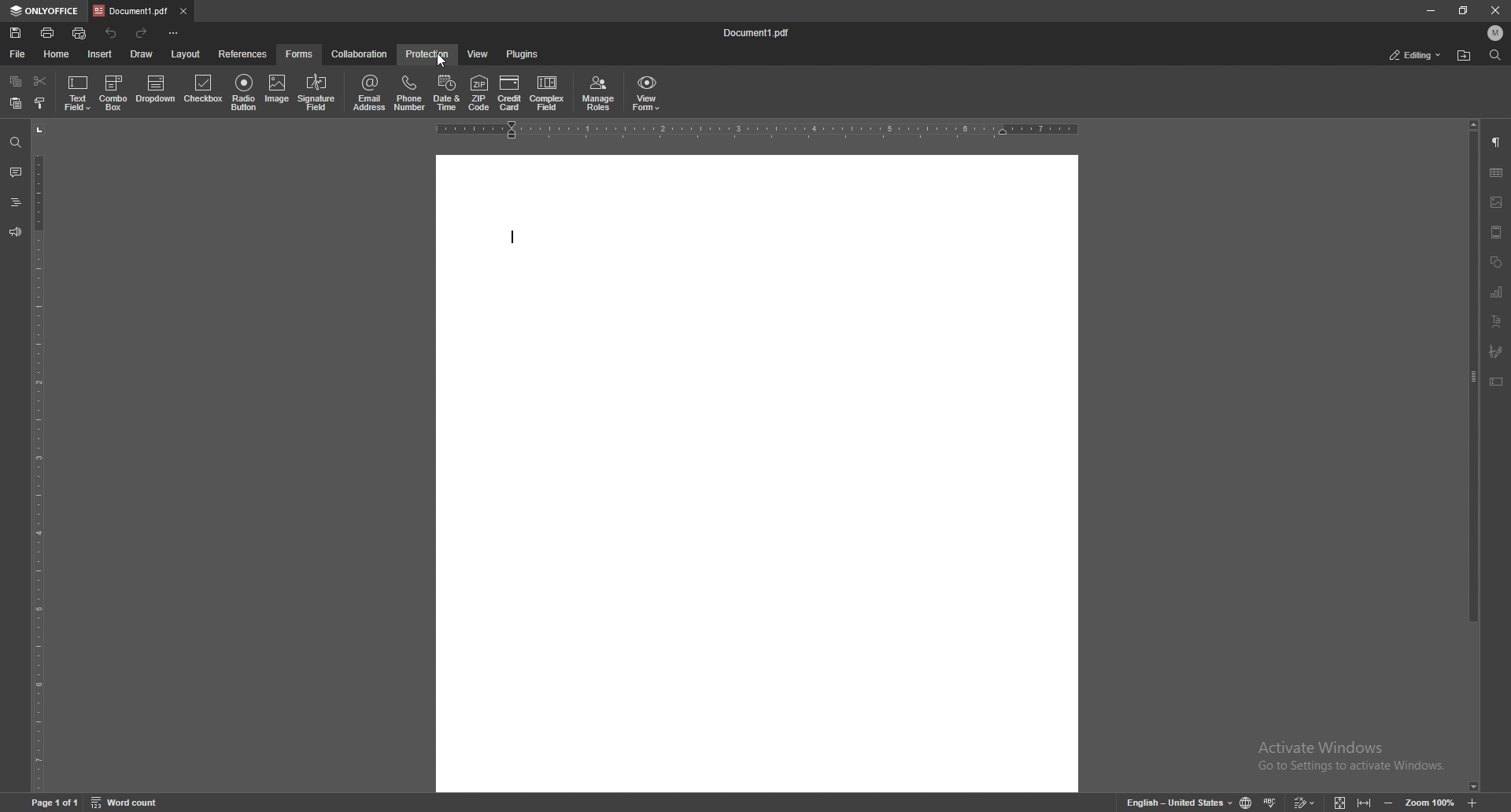 Image resolution: width=1511 pixels, height=812 pixels. Describe the element at coordinates (277, 93) in the screenshot. I see `image` at that location.